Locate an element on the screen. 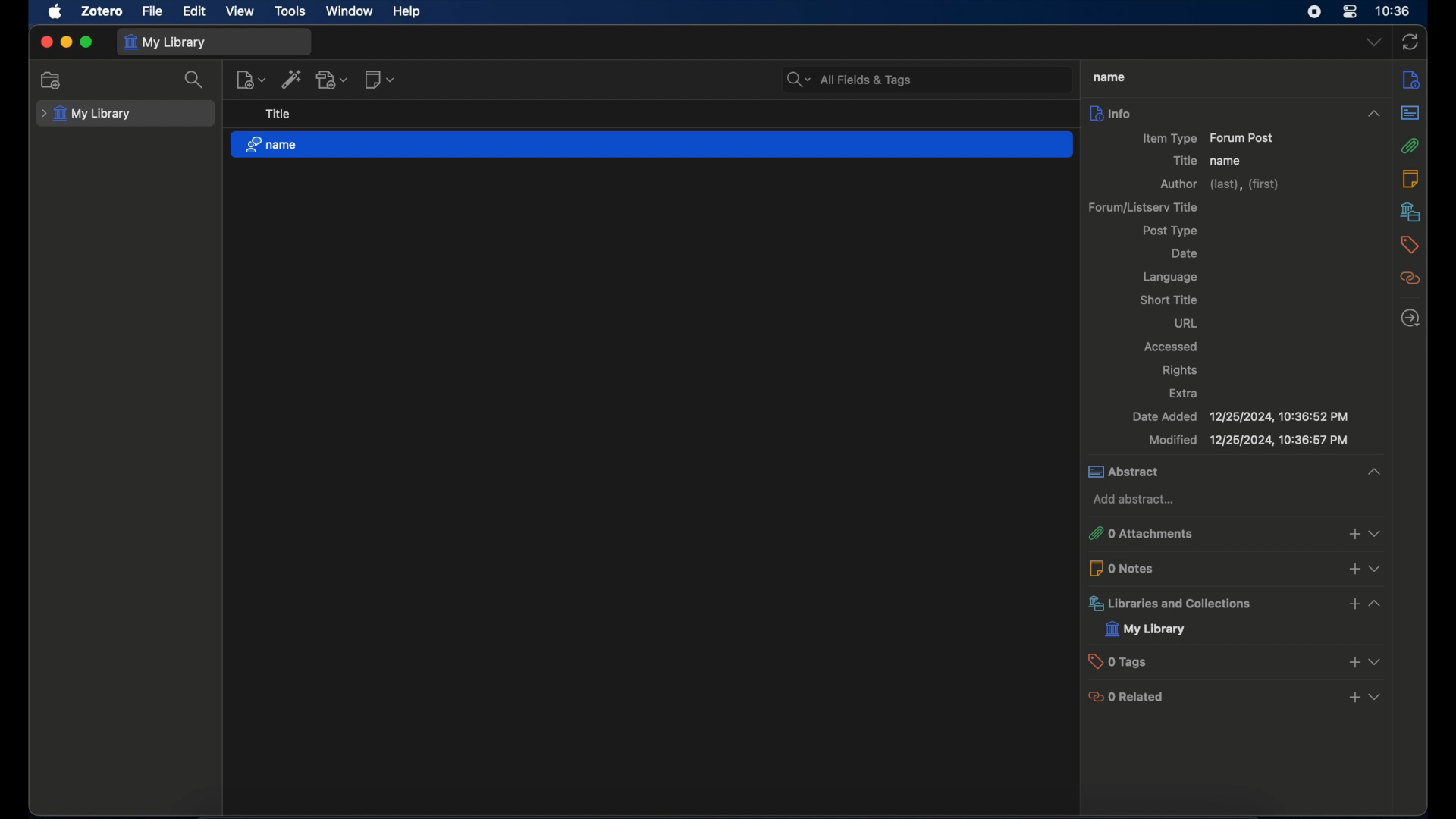 This screenshot has height=819, width=1456. add attachment is located at coordinates (333, 79).